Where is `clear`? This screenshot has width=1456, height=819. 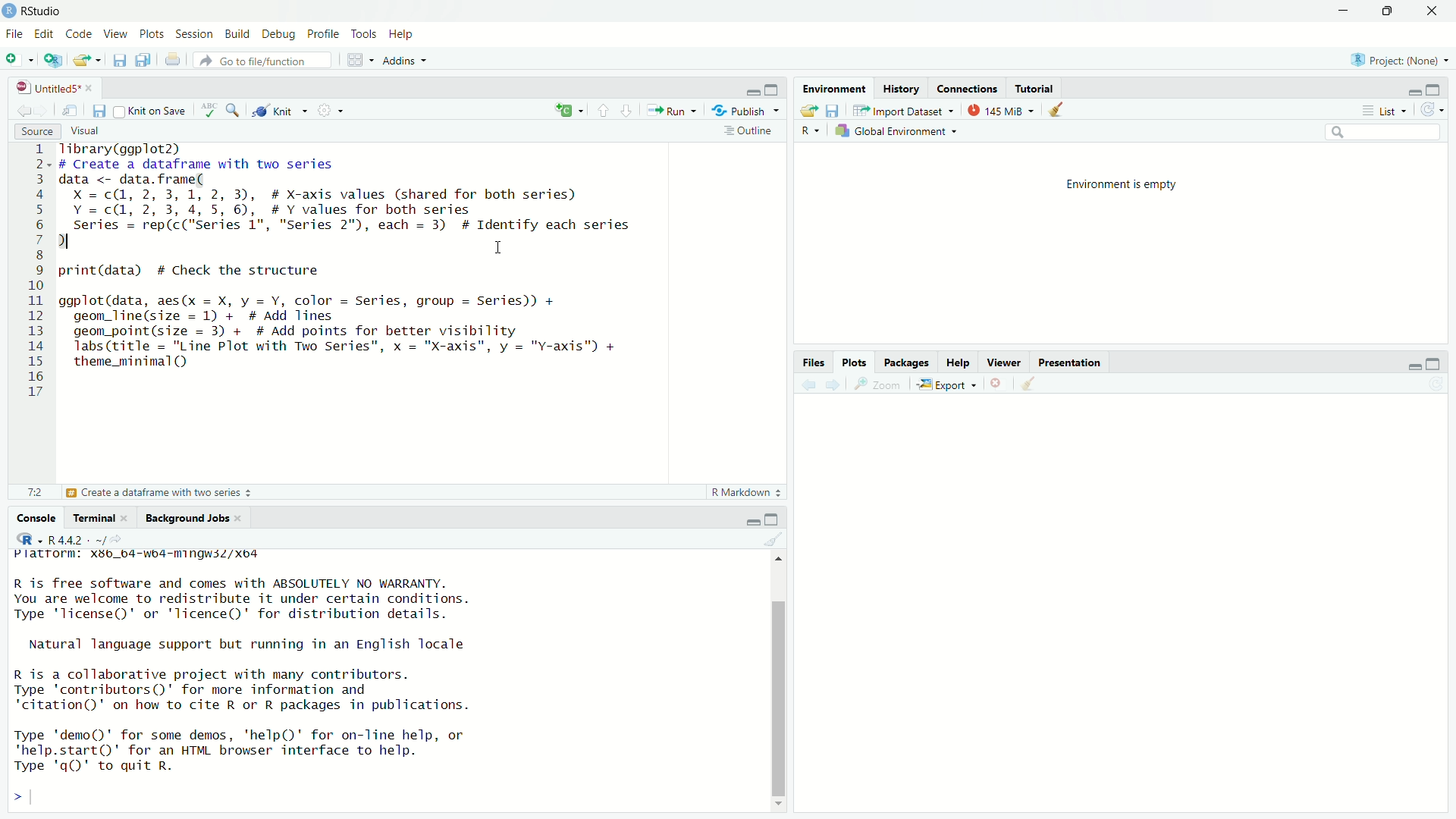
clear is located at coordinates (995, 383).